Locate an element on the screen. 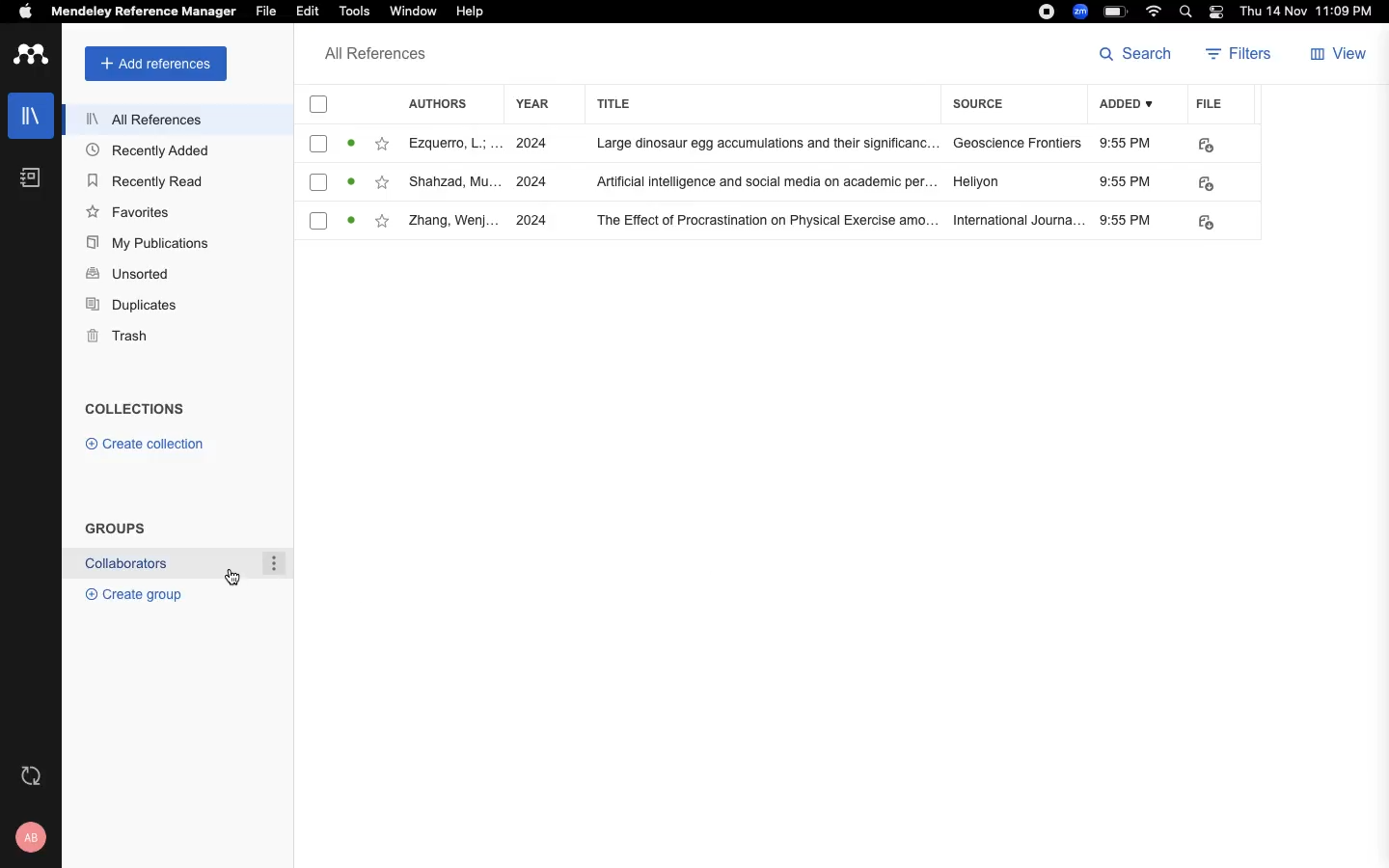 This screenshot has width=1389, height=868. authors is located at coordinates (436, 103).